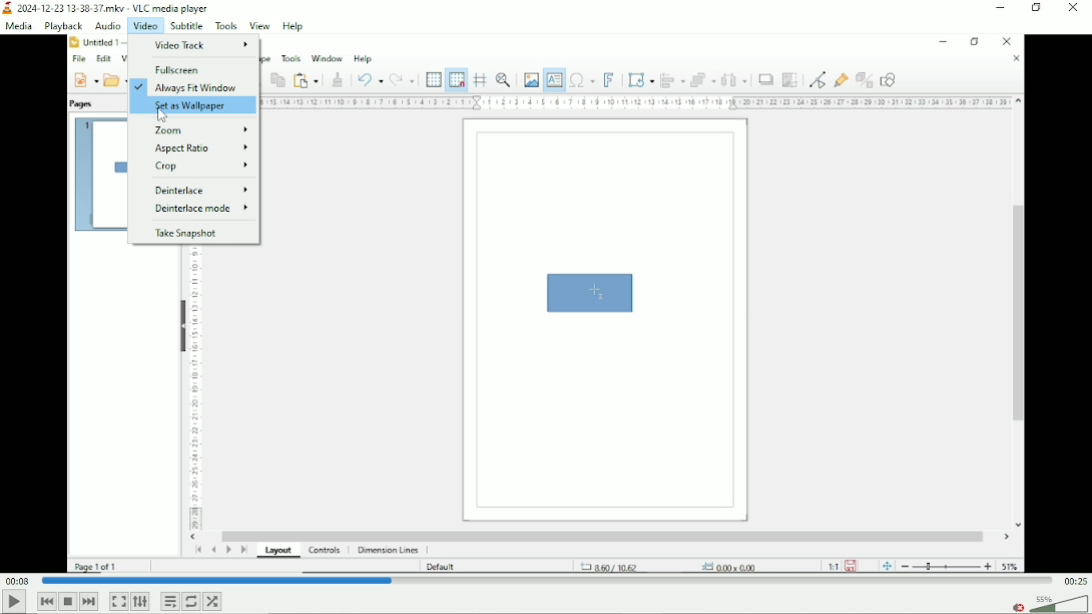 This screenshot has height=614, width=1092. What do you see at coordinates (140, 602) in the screenshot?
I see `Show extended settings` at bounding box center [140, 602].